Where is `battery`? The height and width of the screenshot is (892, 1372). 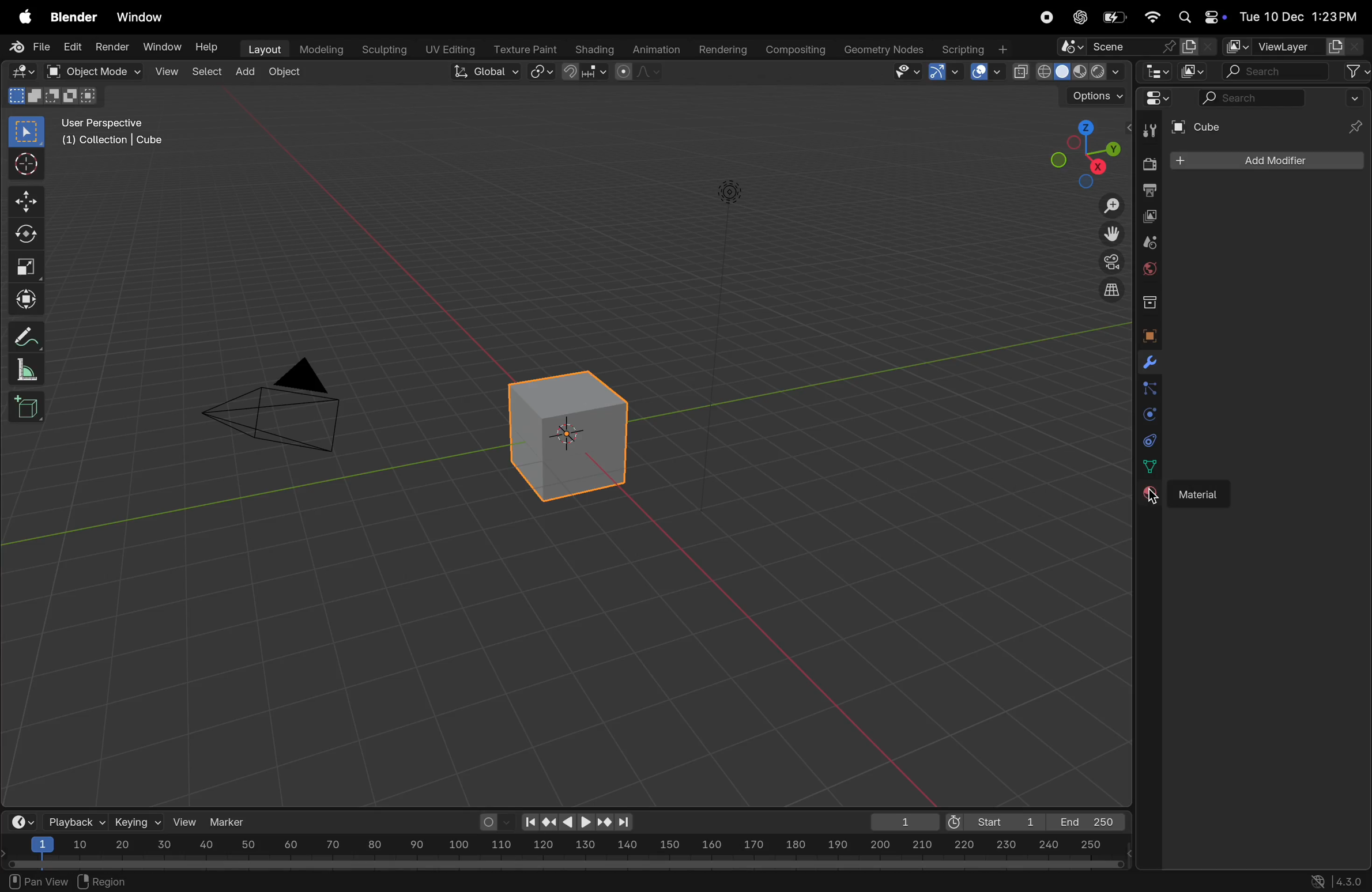 battery is located at coordinates (1117, 17).